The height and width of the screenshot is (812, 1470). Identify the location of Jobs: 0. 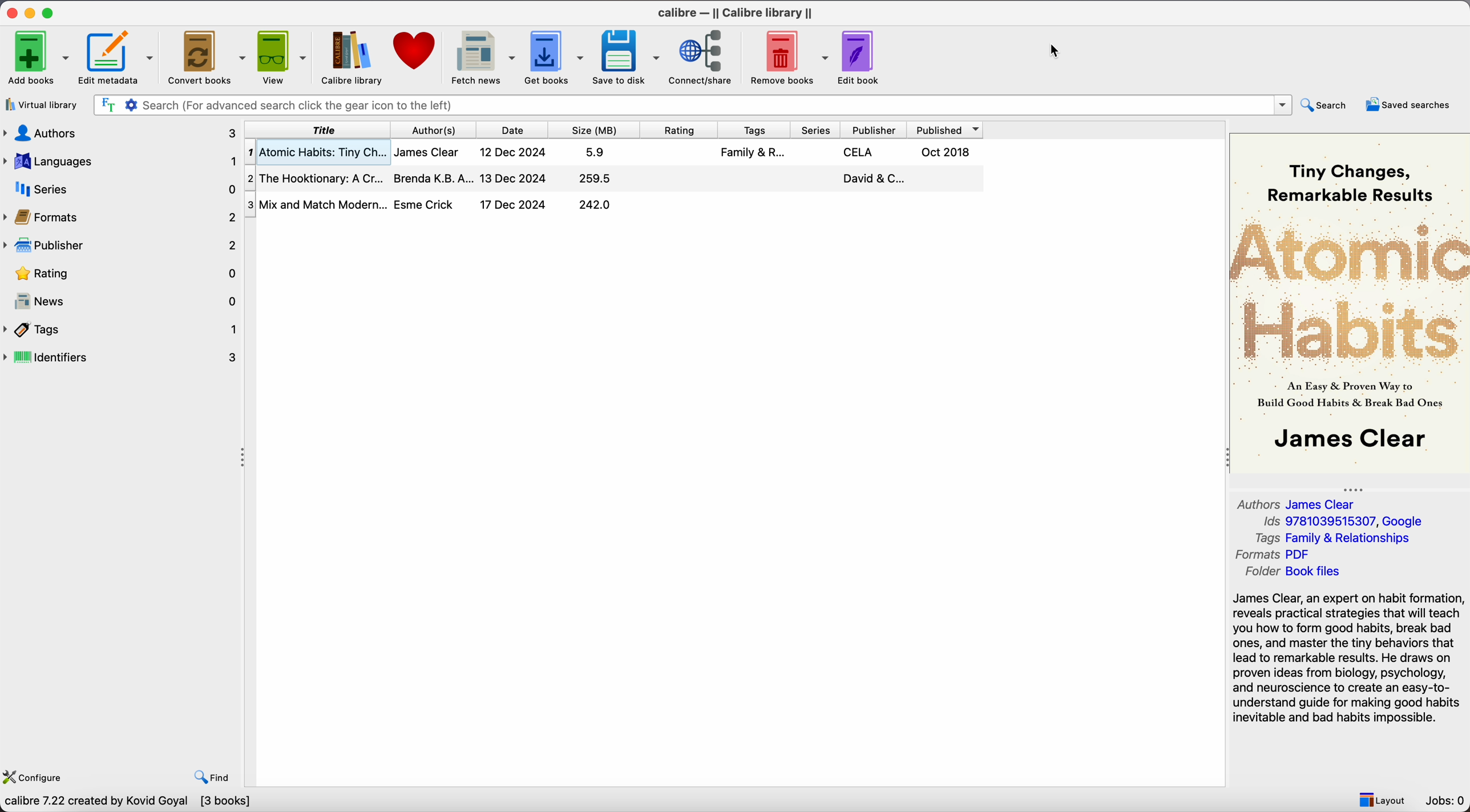
(1446, 801).